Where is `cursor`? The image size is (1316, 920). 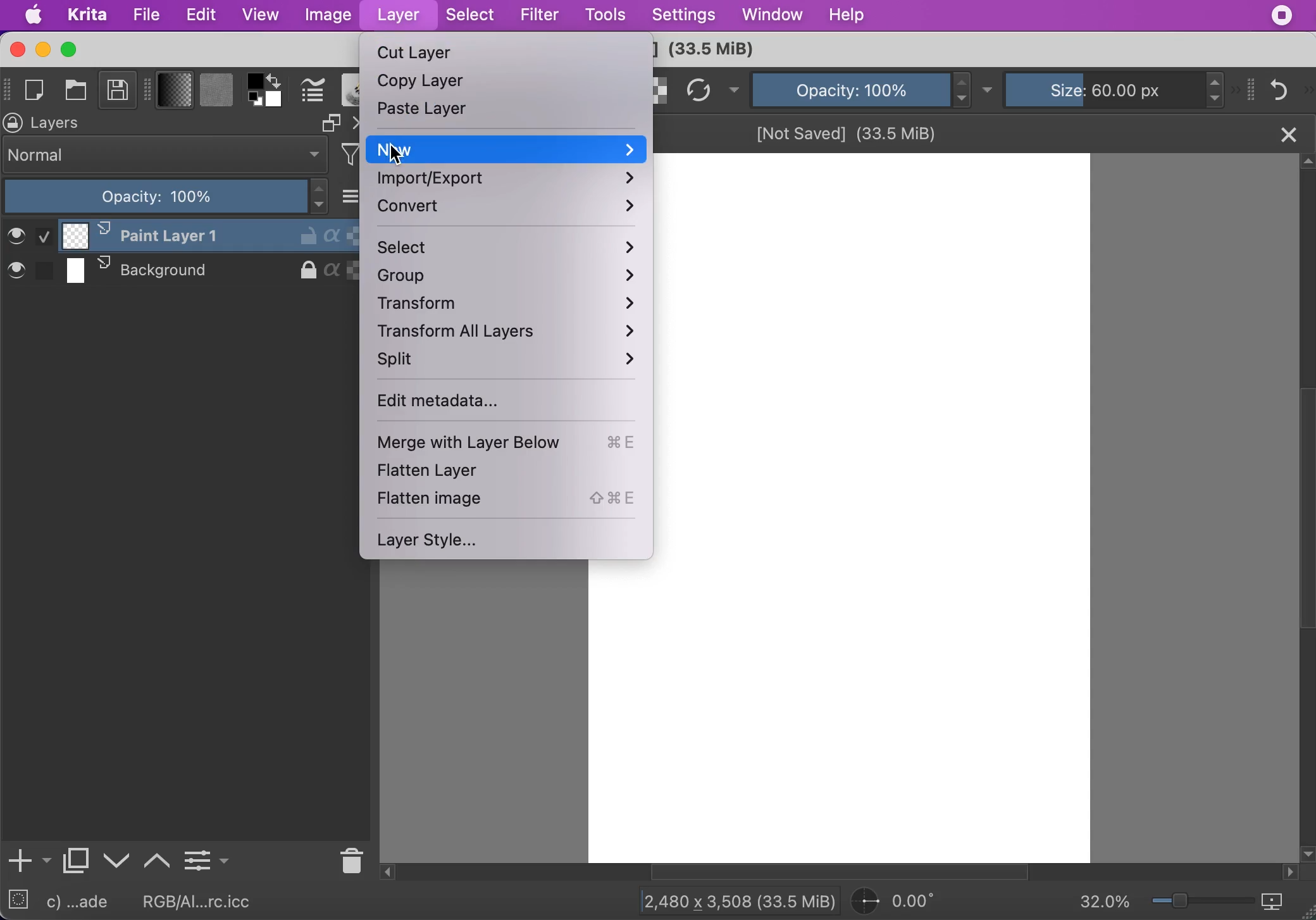
cursor is located at coordinates (394, 156).